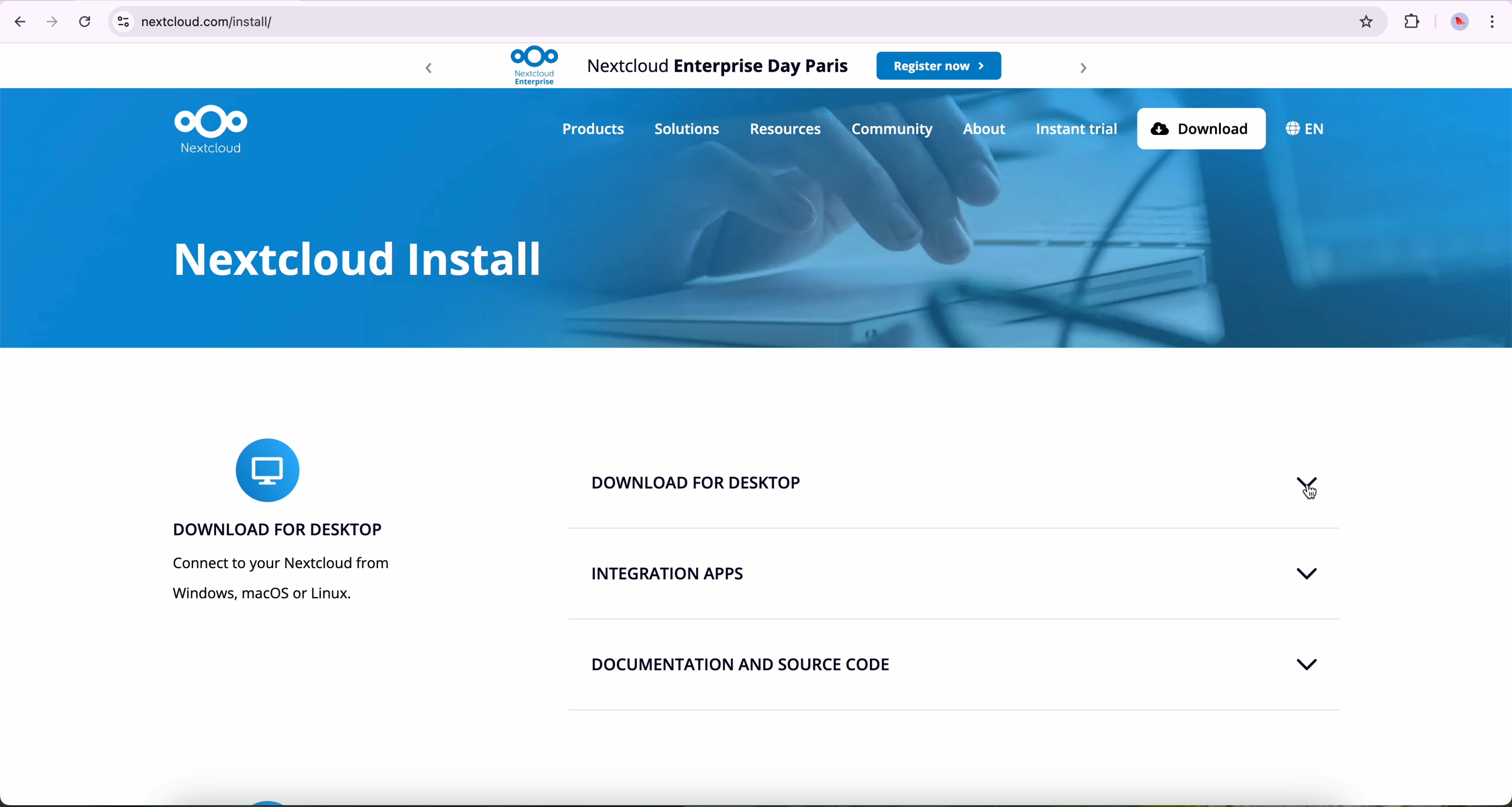  What do you see at coordinates (731, 22) in the screenshot?
I see `netcloud.com/install/` at bounding box center [731, 22].